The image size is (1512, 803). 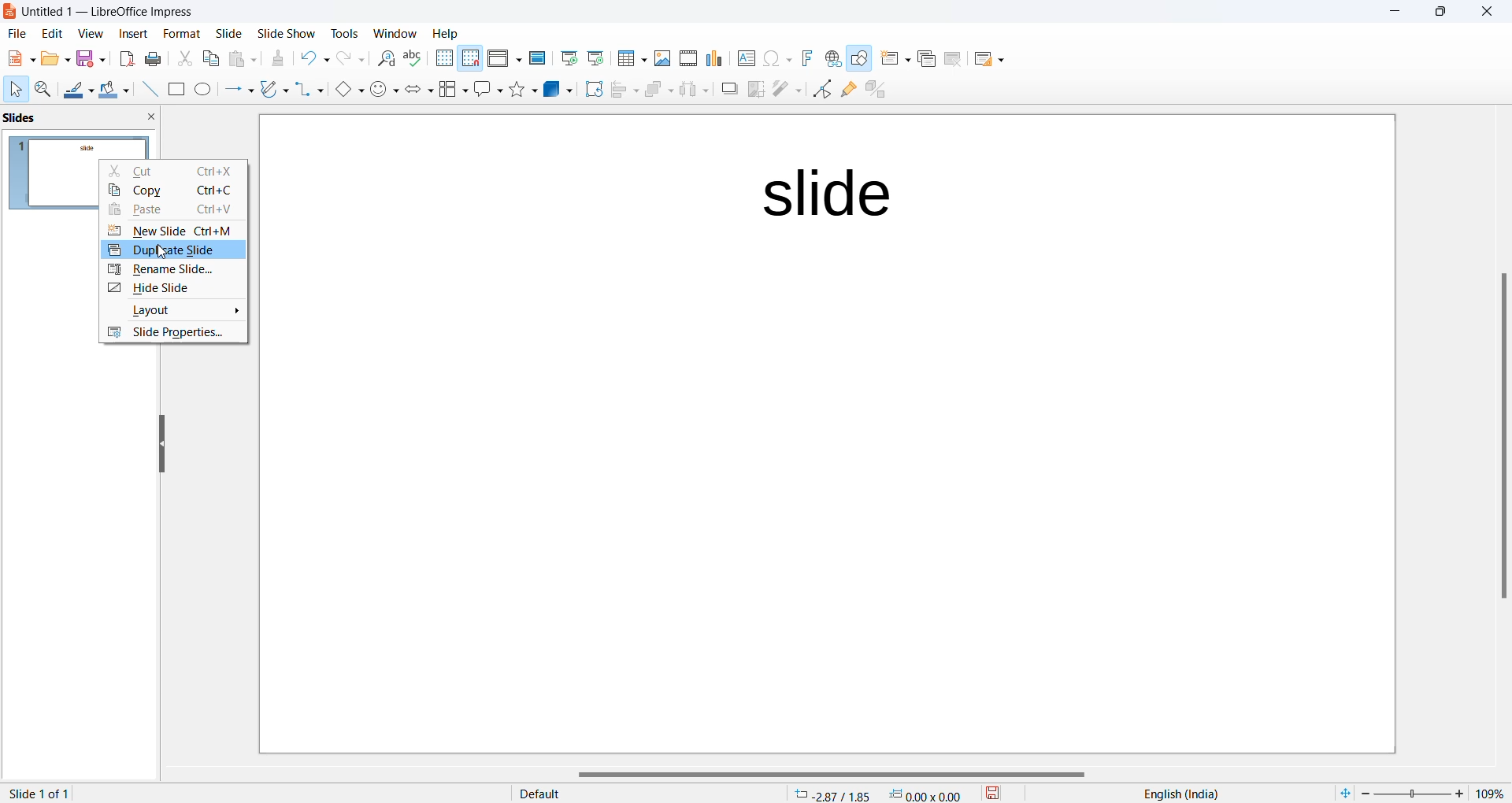 I want to click on Duplicate slide, so click(x=924, y=61).